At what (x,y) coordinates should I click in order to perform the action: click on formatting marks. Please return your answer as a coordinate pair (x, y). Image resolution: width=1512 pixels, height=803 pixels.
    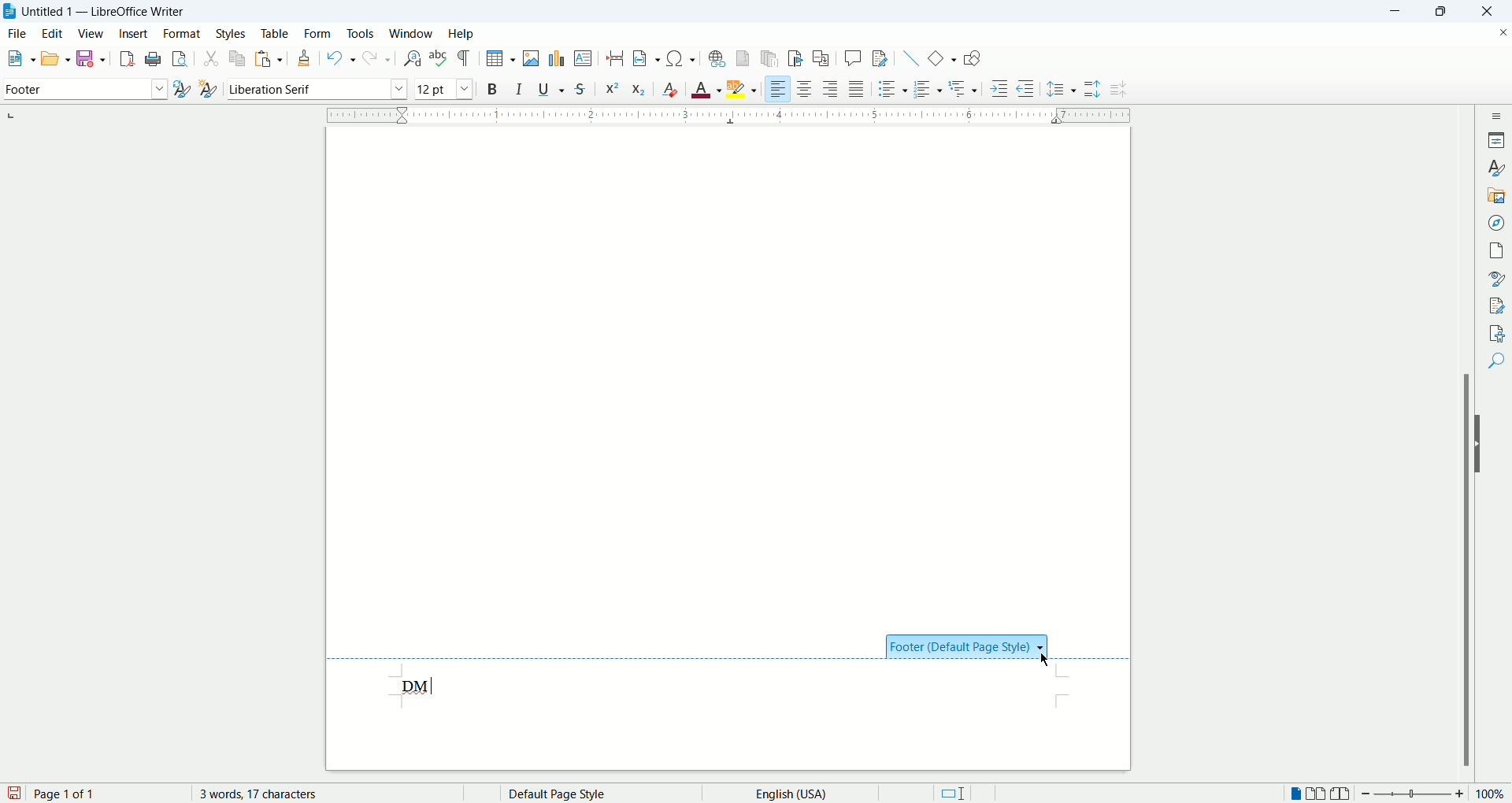
    Looking at the image, I should click on (467, 57).